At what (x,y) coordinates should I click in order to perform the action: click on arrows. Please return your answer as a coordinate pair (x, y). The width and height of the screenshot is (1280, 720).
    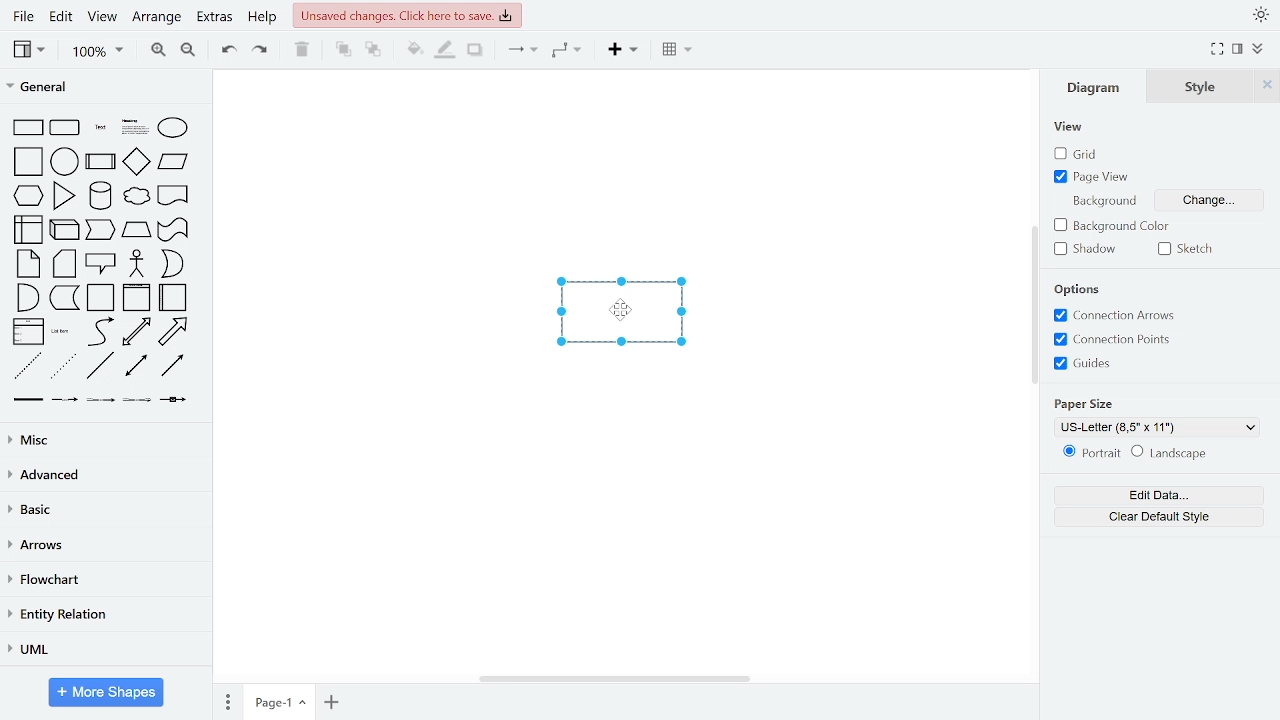
    Looking at the image, I should click on (102, 545).